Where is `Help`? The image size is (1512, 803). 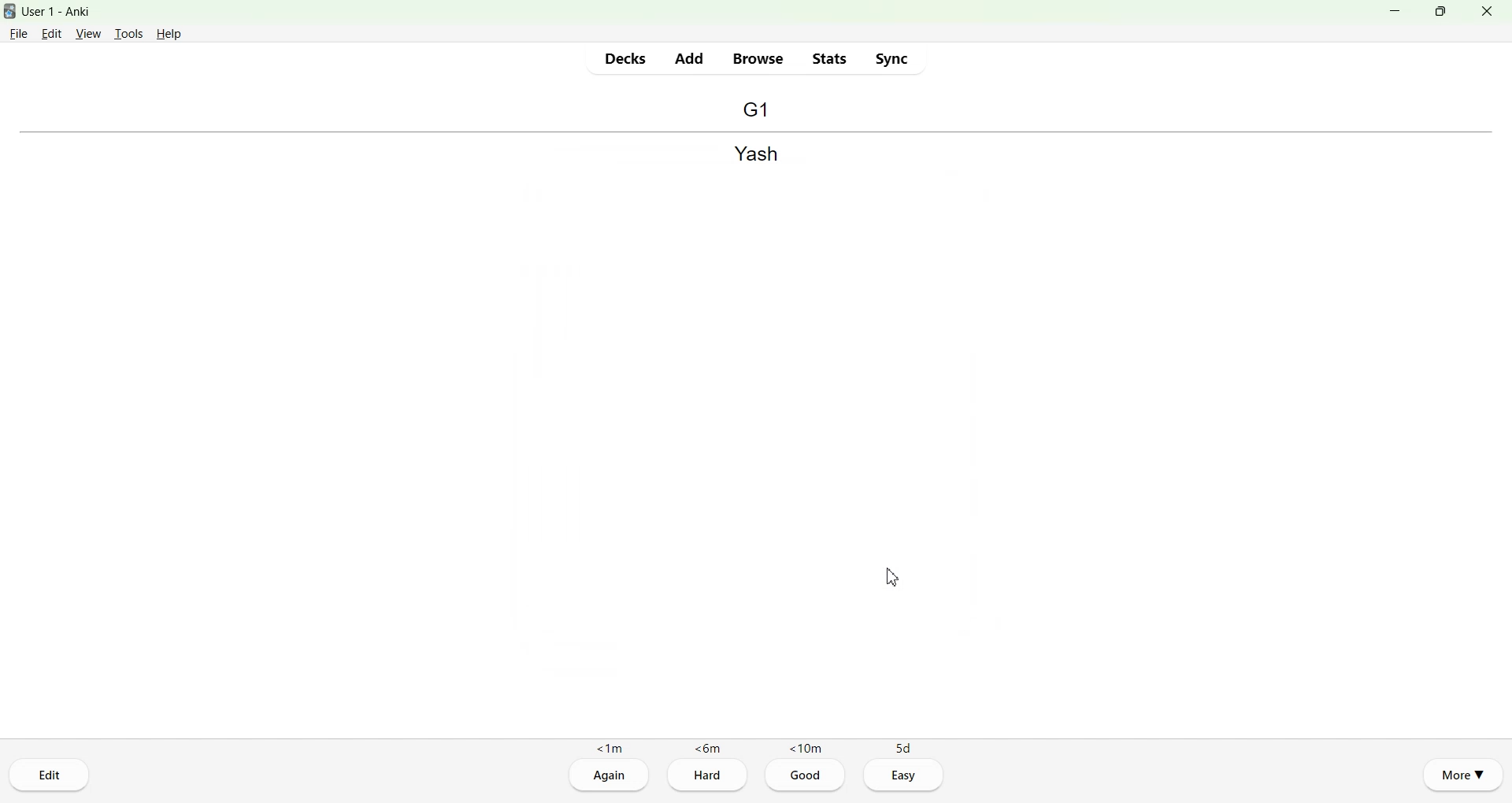 Help is located at coordinates (169, 34).